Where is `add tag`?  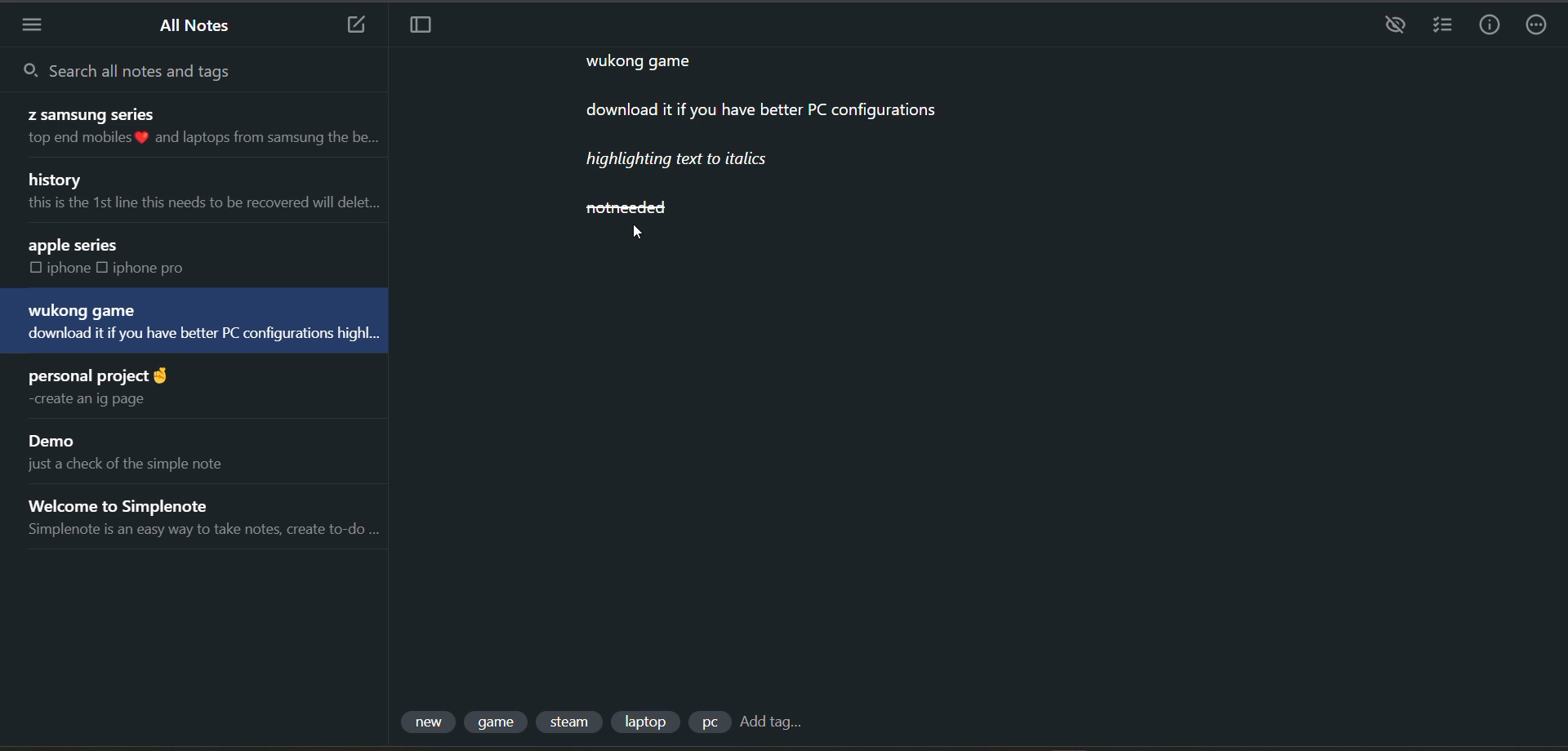
add tag is located at coordinates (777, 723).